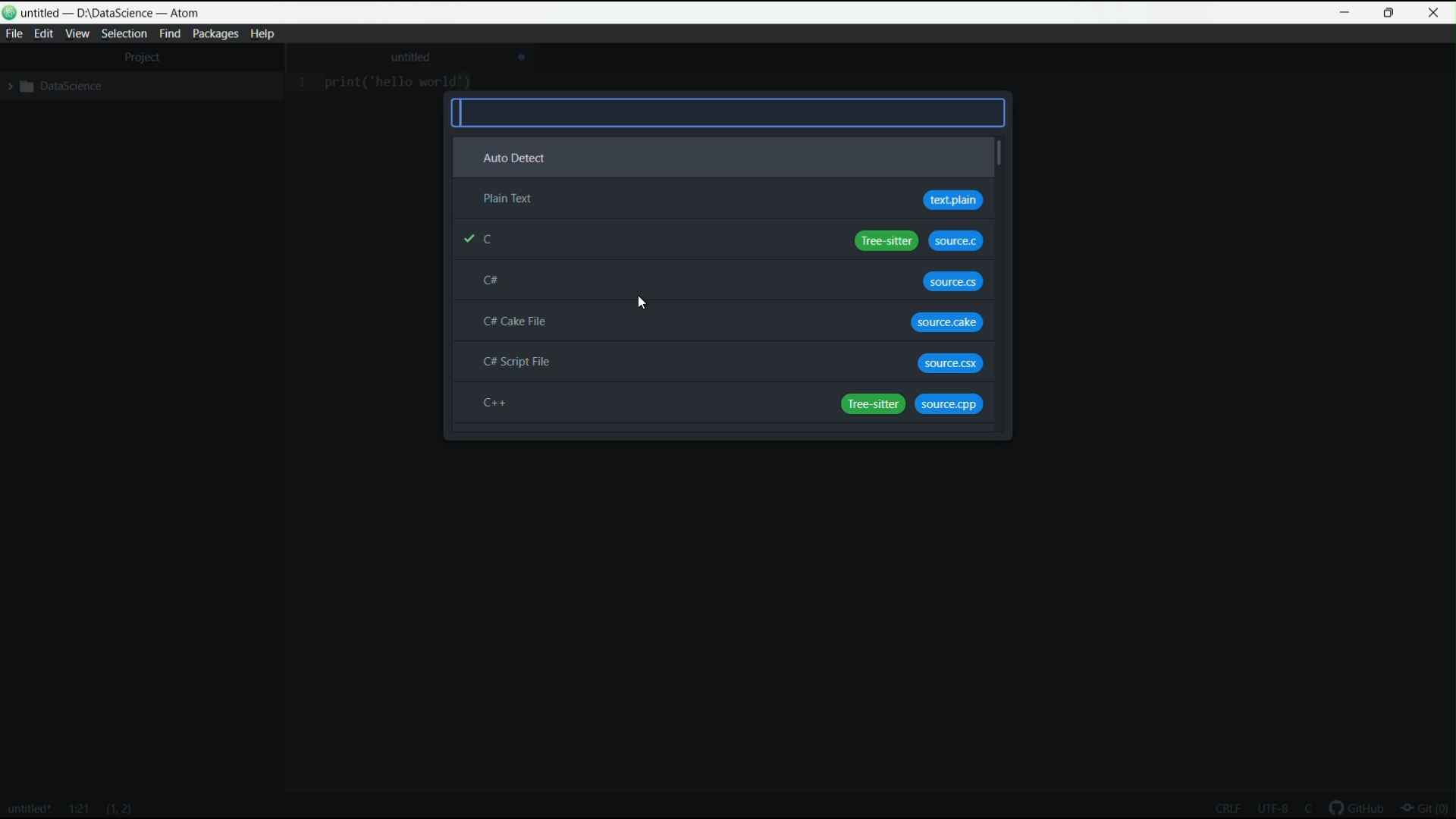 The image size is (1456, 819). Describe the element at coordinates (516, 322) in the screenshot. I see `c# cake file` at that location.